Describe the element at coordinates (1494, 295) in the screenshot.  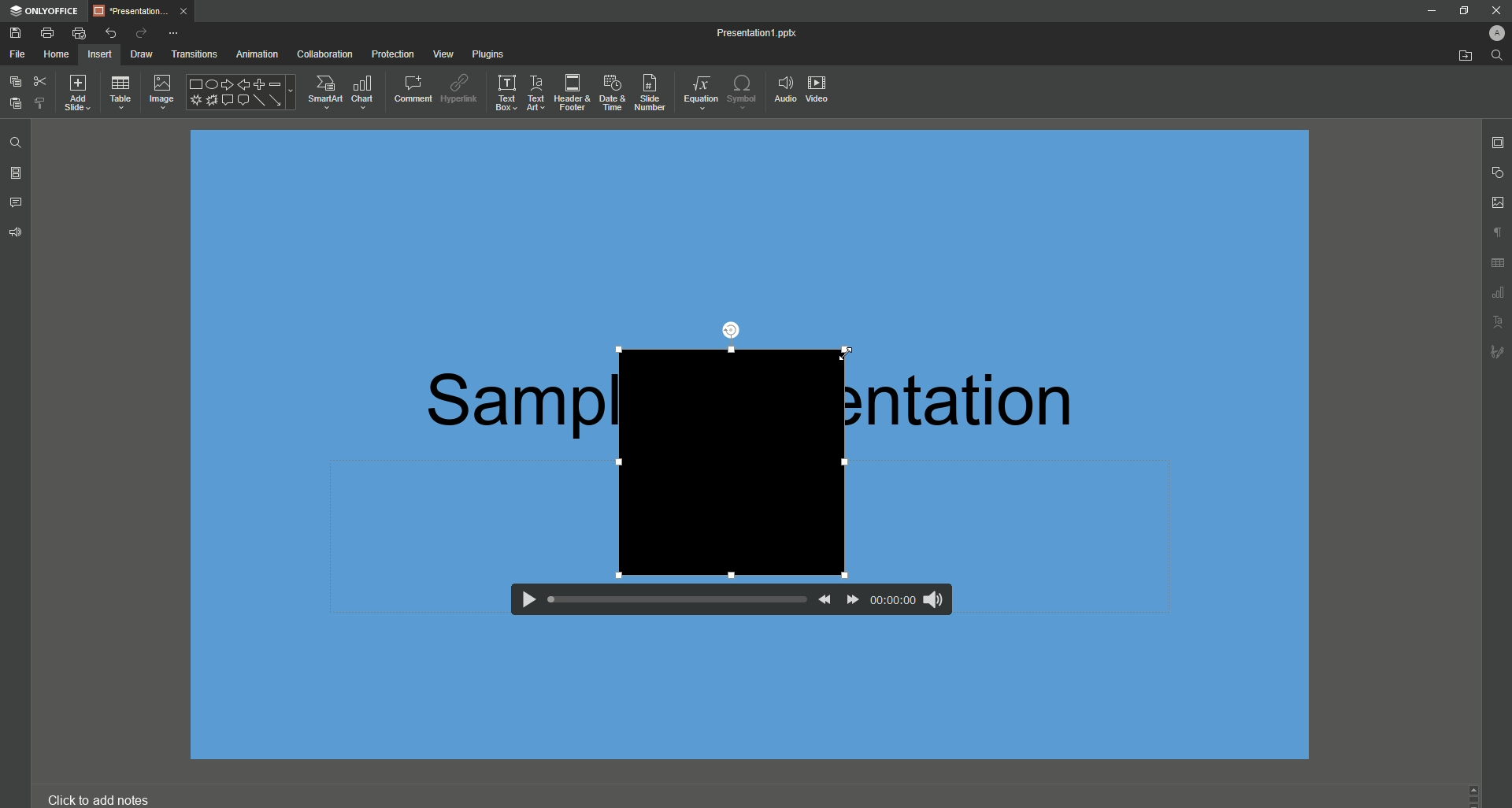
I see `Unnamed Icons` at that location.